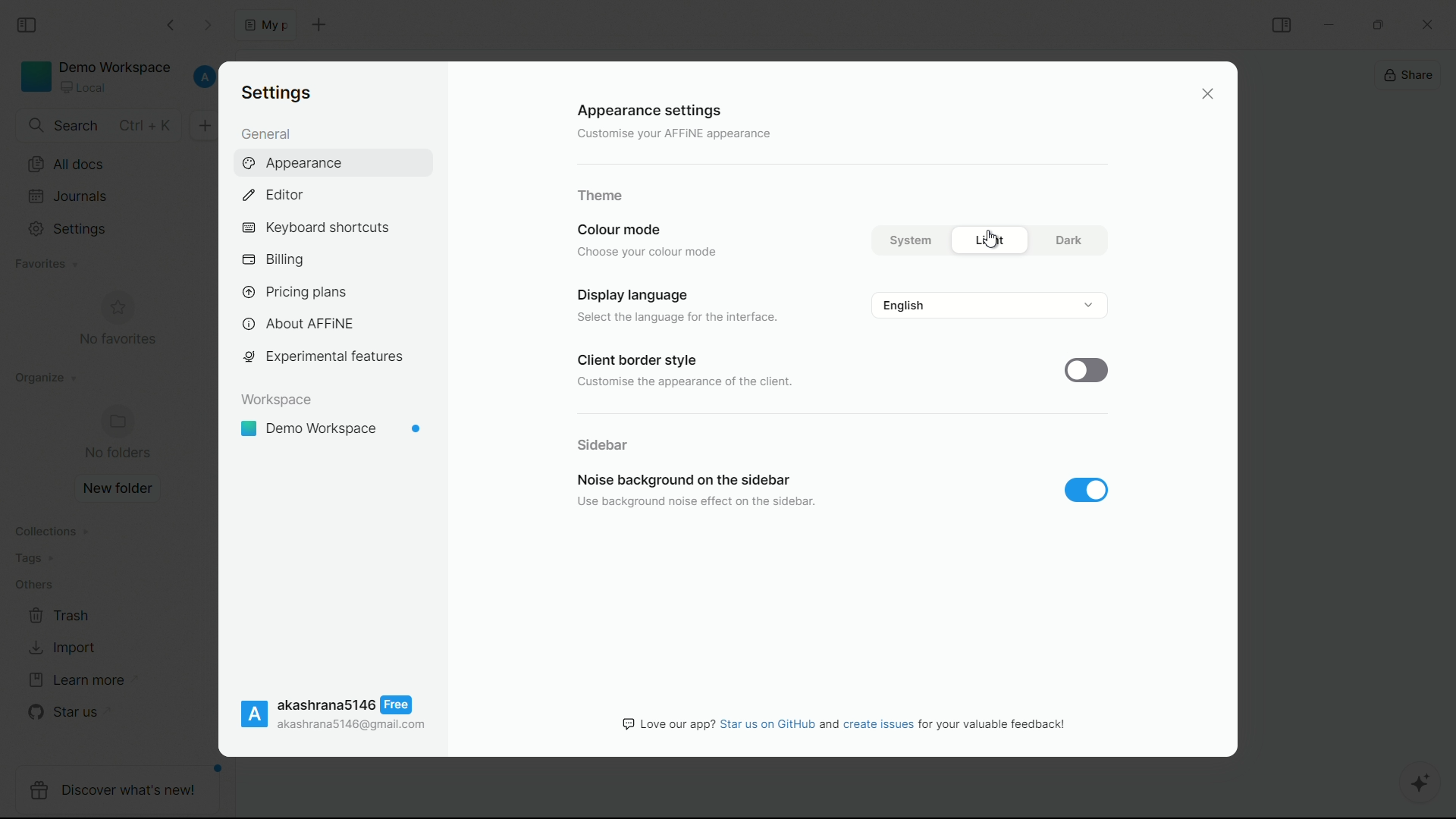 Image resolution: width=1456 pixels, height=819 pixels. Describe the element at coordinates (96, 77) in the screenshot. I see `demo workspace` at that location.